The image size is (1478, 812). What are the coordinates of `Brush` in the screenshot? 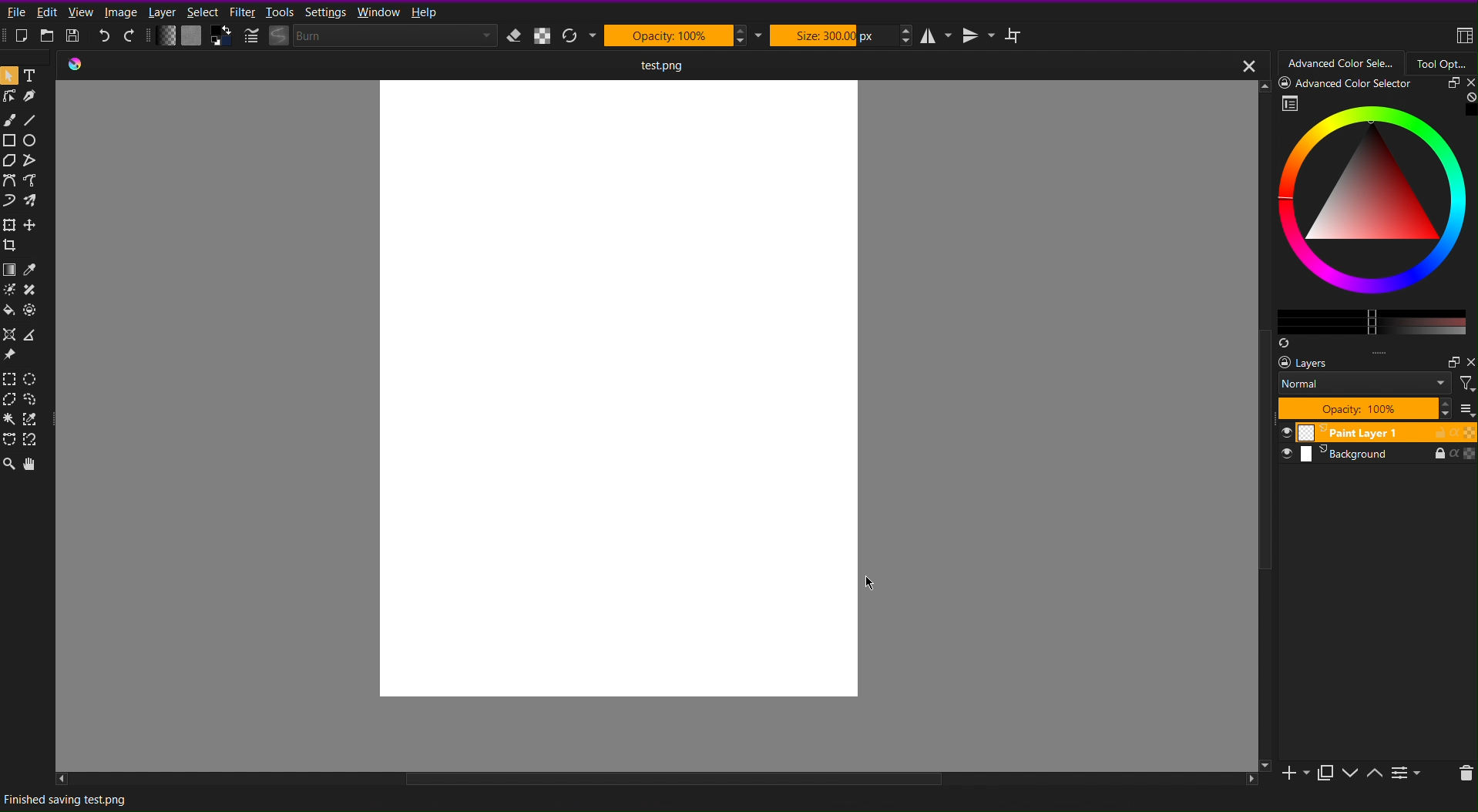 It's located at (9, 120).